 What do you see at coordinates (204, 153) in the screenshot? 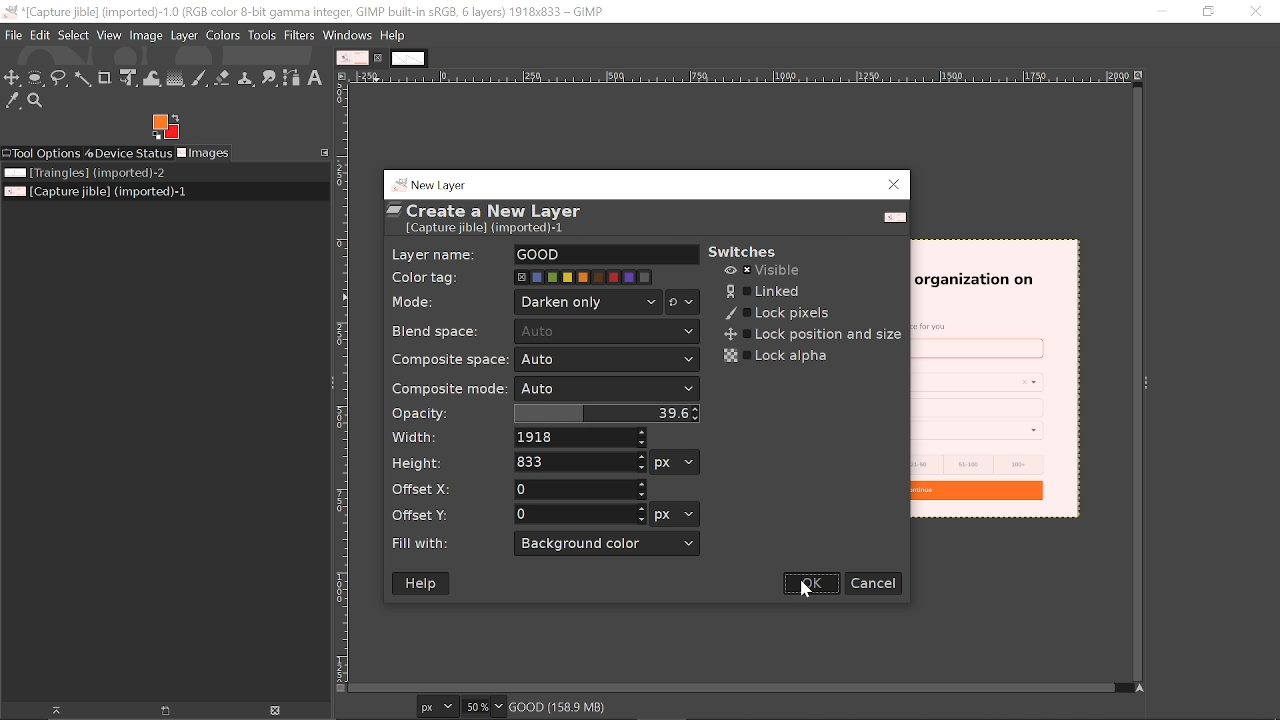
I see `Images` at bounding box center [204, 153].